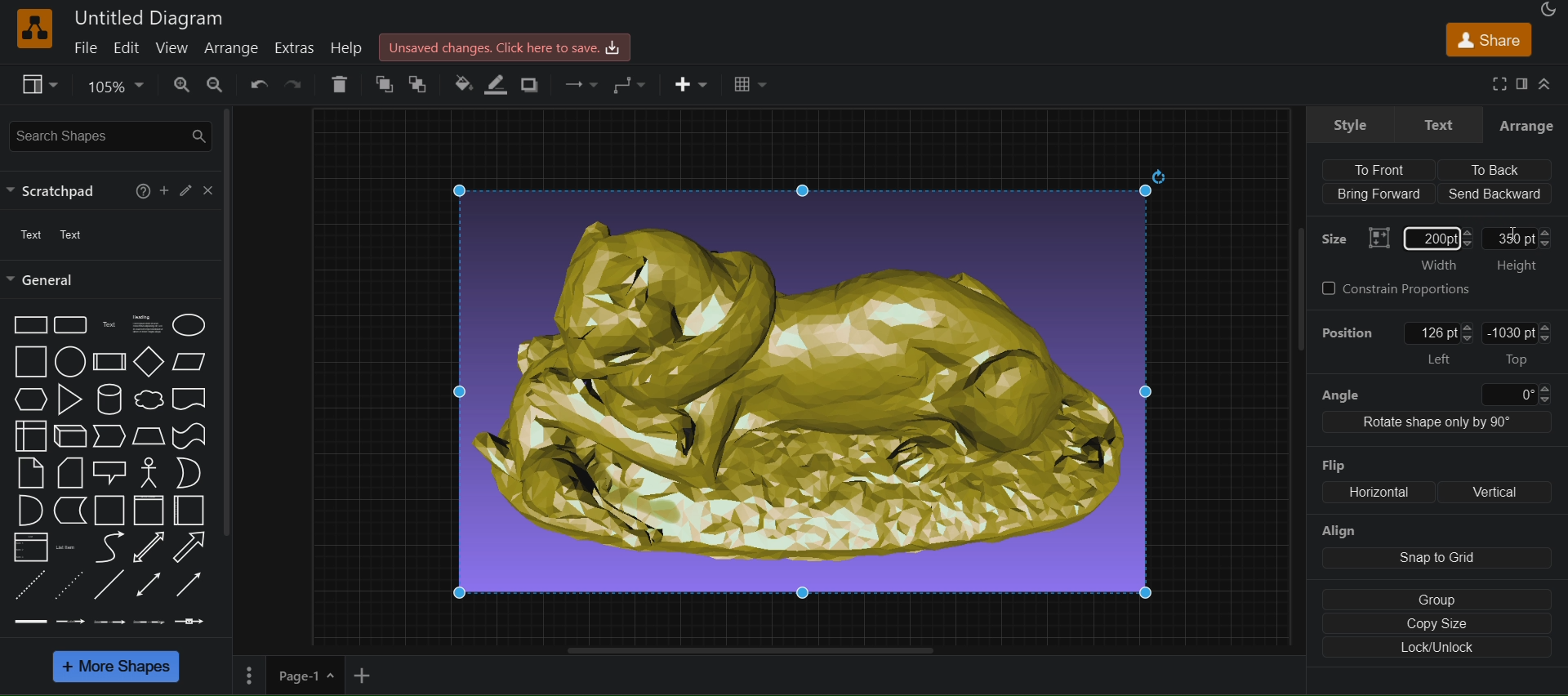 This screenshot has height=696, width=1568. Describe the element at coordinates (1364, 494) in the screenshot. I see `flip: Horizontal` at that location.